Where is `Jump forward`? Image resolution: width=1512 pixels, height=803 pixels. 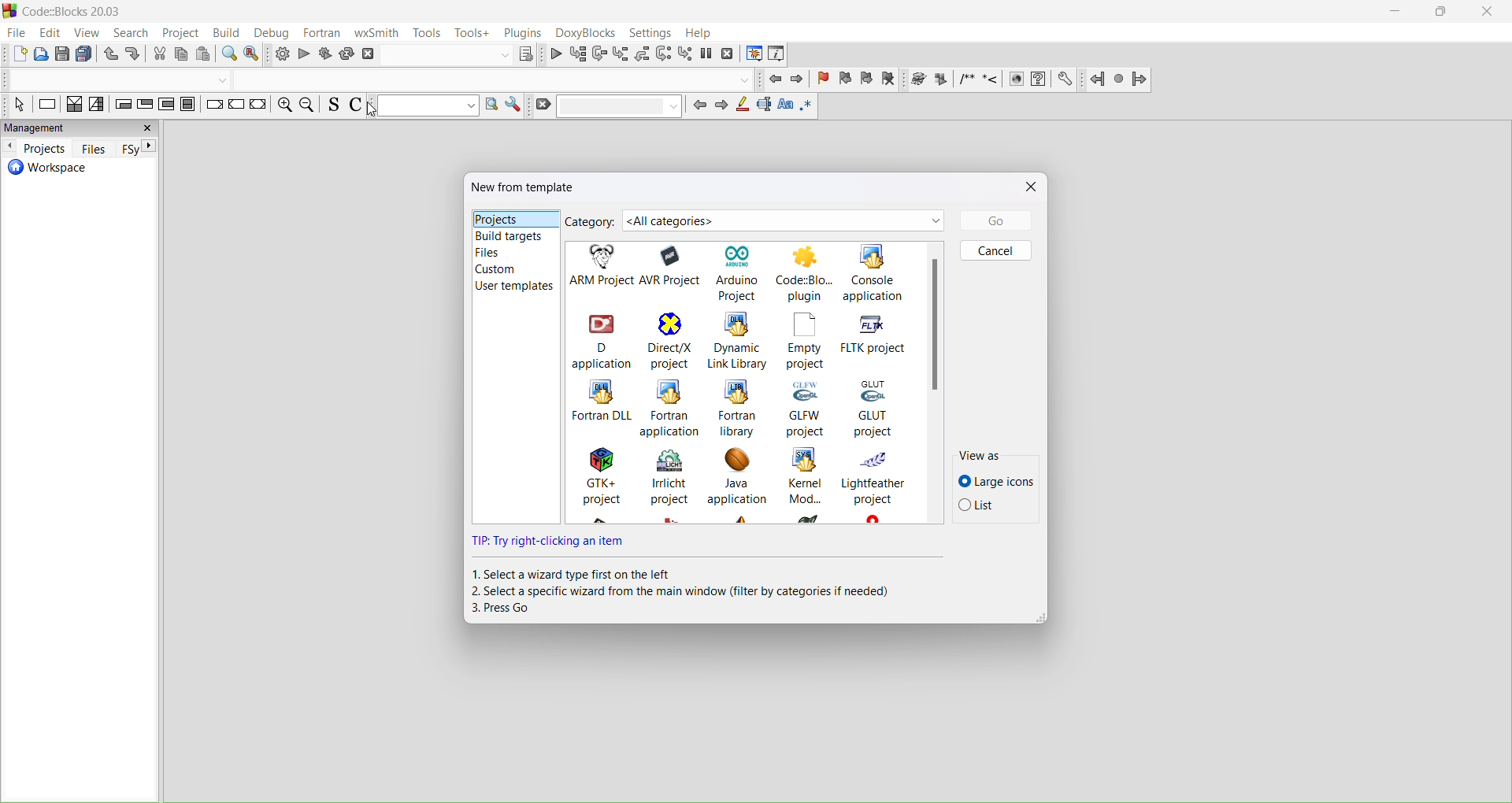
Jump forward is located at coordinates (1142, 80).